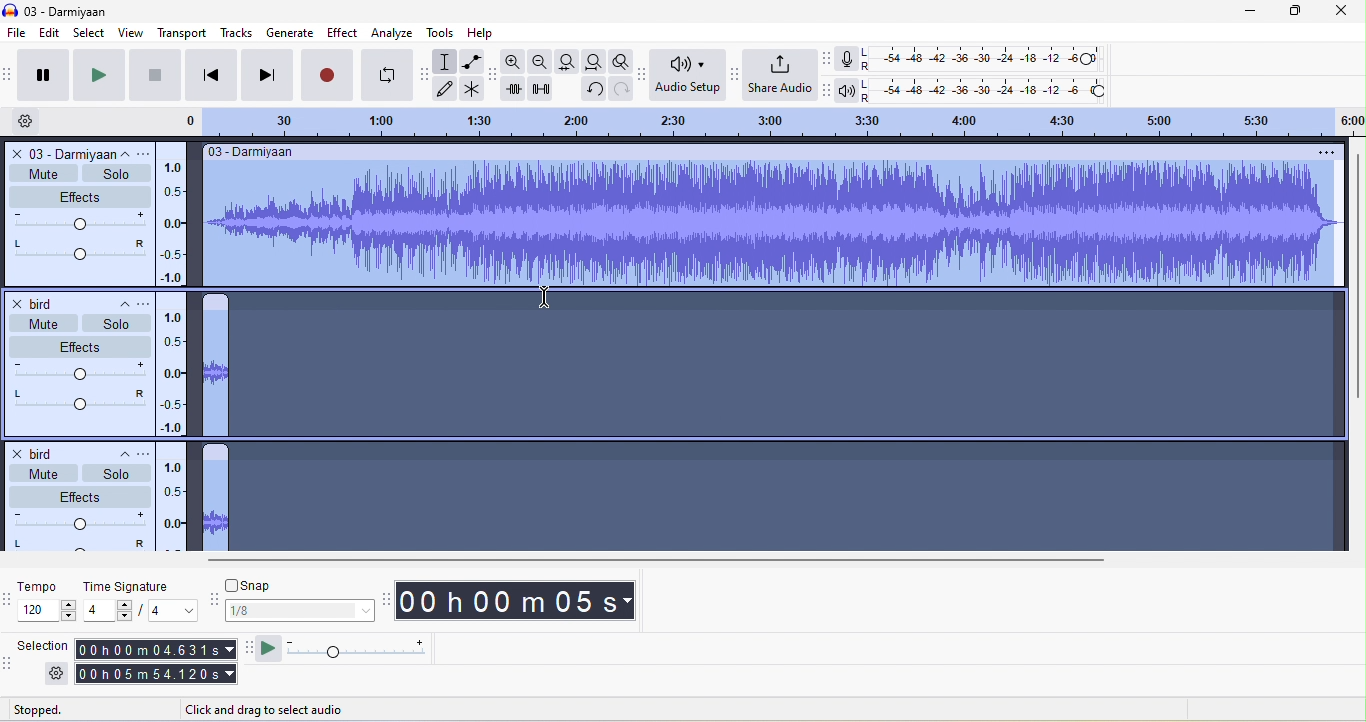 Image resolution: width=1366 pixels, height=722 pixels. Describe the element at coordinates (238, 152) in the screenshot. I see `03- darmiyaan` at that location.